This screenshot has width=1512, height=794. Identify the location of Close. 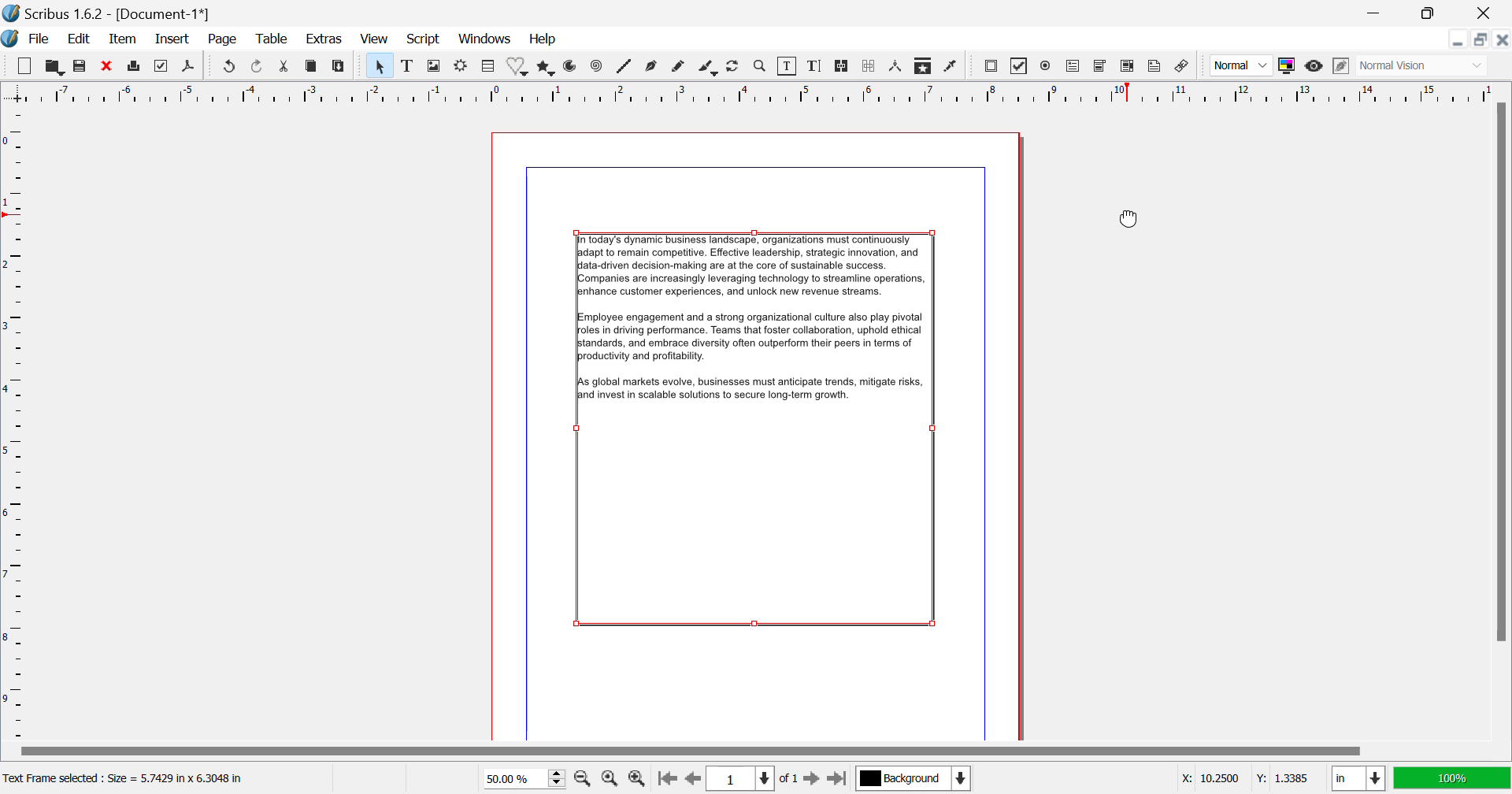
(1503, 41).